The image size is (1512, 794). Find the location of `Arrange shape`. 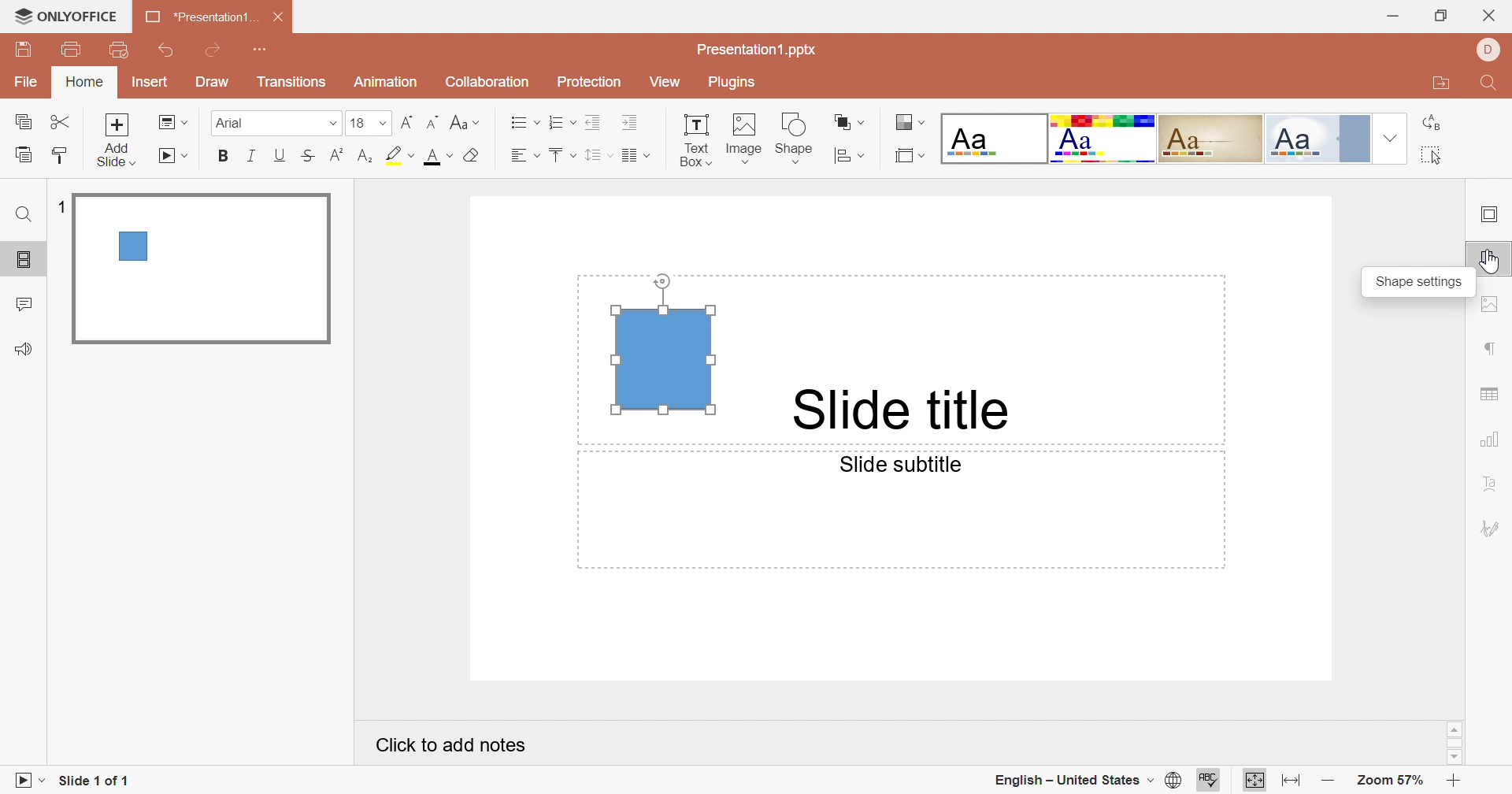

Arrange shape is located at coordinates (851, 121).